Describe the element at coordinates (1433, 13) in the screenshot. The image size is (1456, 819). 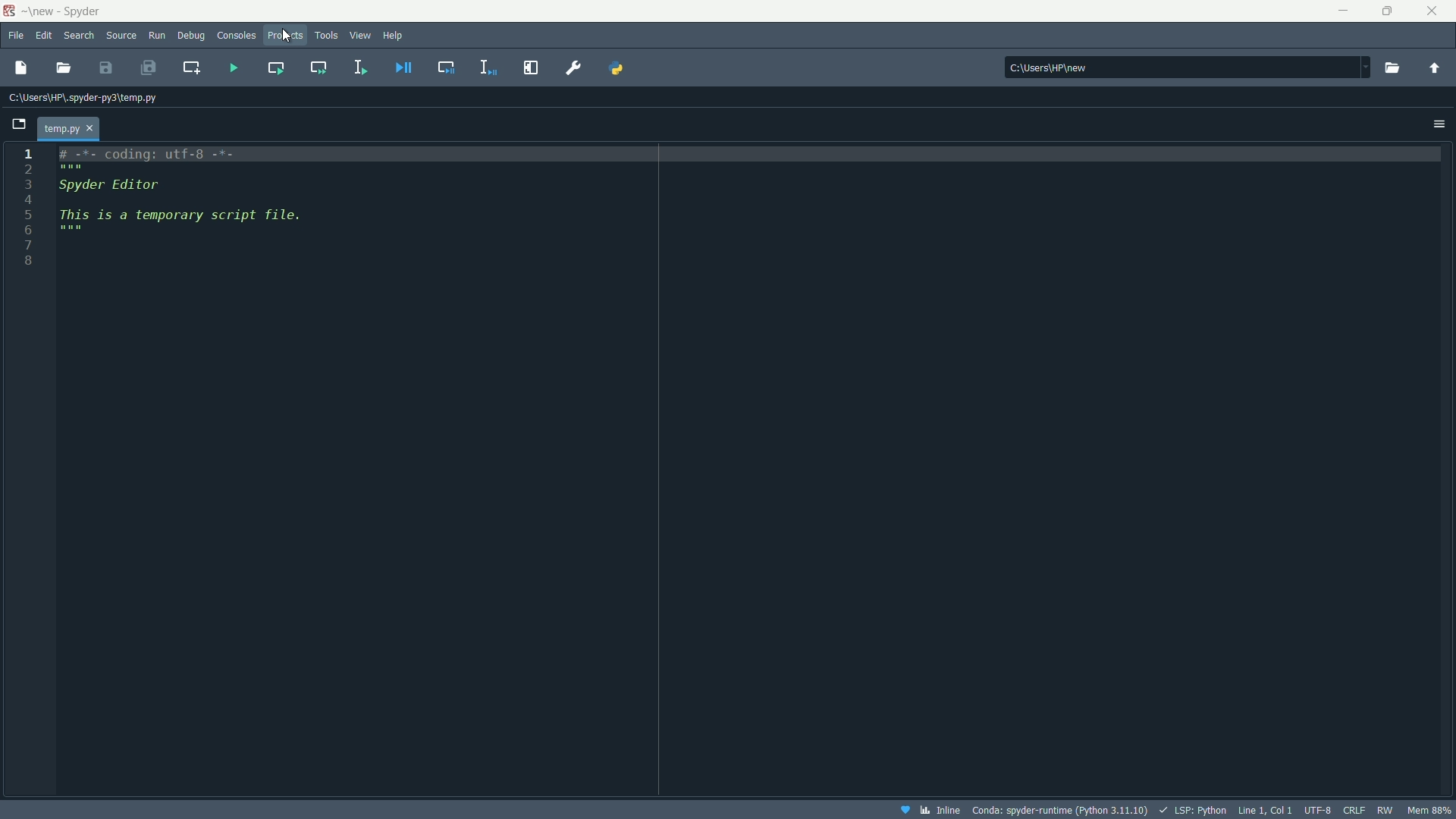
I see `Close` at that location.